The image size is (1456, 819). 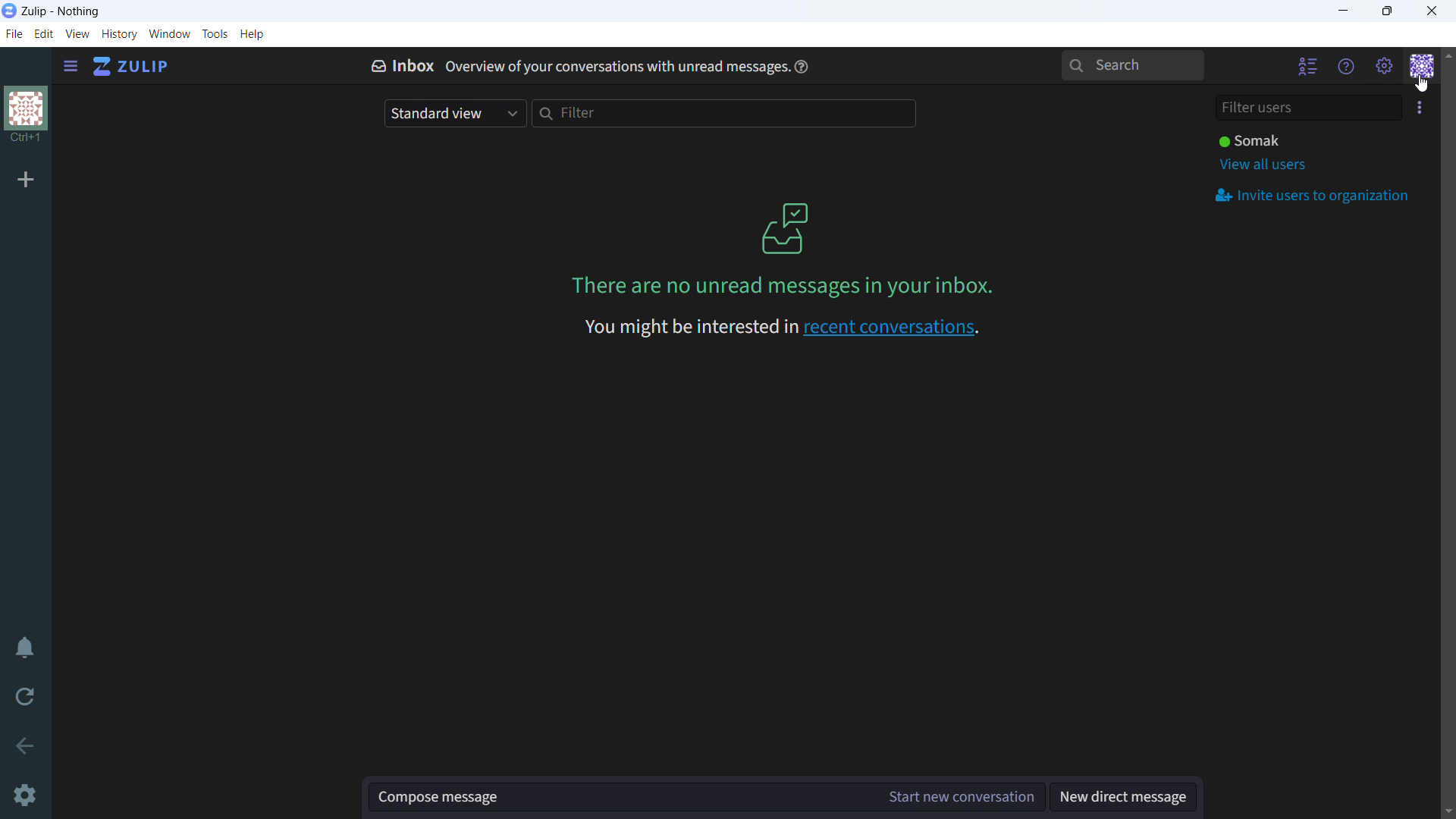 I want to click on enable do not disturb, so click(x=25, y=648).